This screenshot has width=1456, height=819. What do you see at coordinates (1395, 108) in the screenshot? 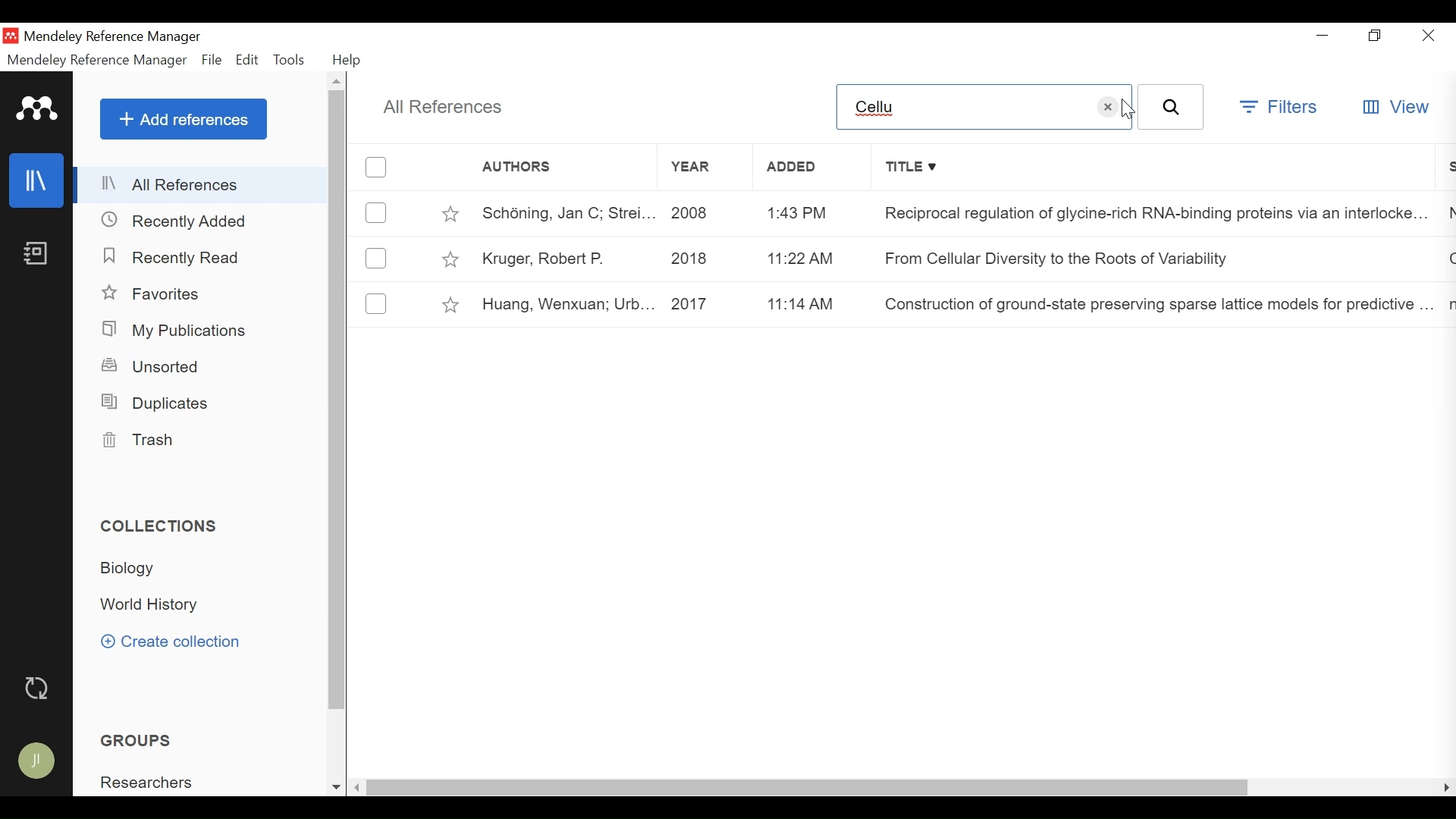
I see `View` at bounding box center [1395, 108].